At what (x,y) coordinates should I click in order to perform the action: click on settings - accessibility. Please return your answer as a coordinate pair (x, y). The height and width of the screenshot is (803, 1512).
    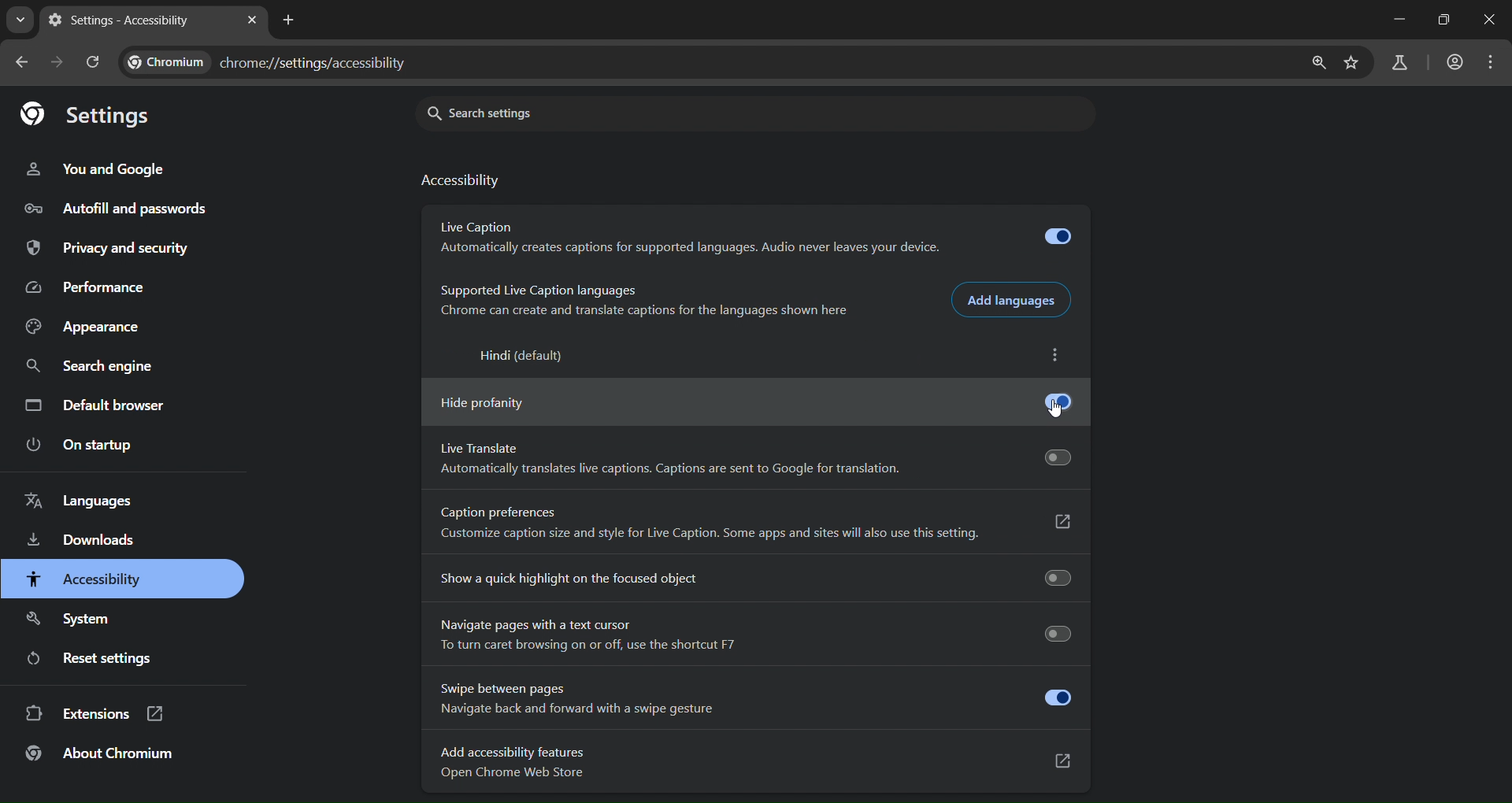
    Looking at the image, I should click on (126, 21).